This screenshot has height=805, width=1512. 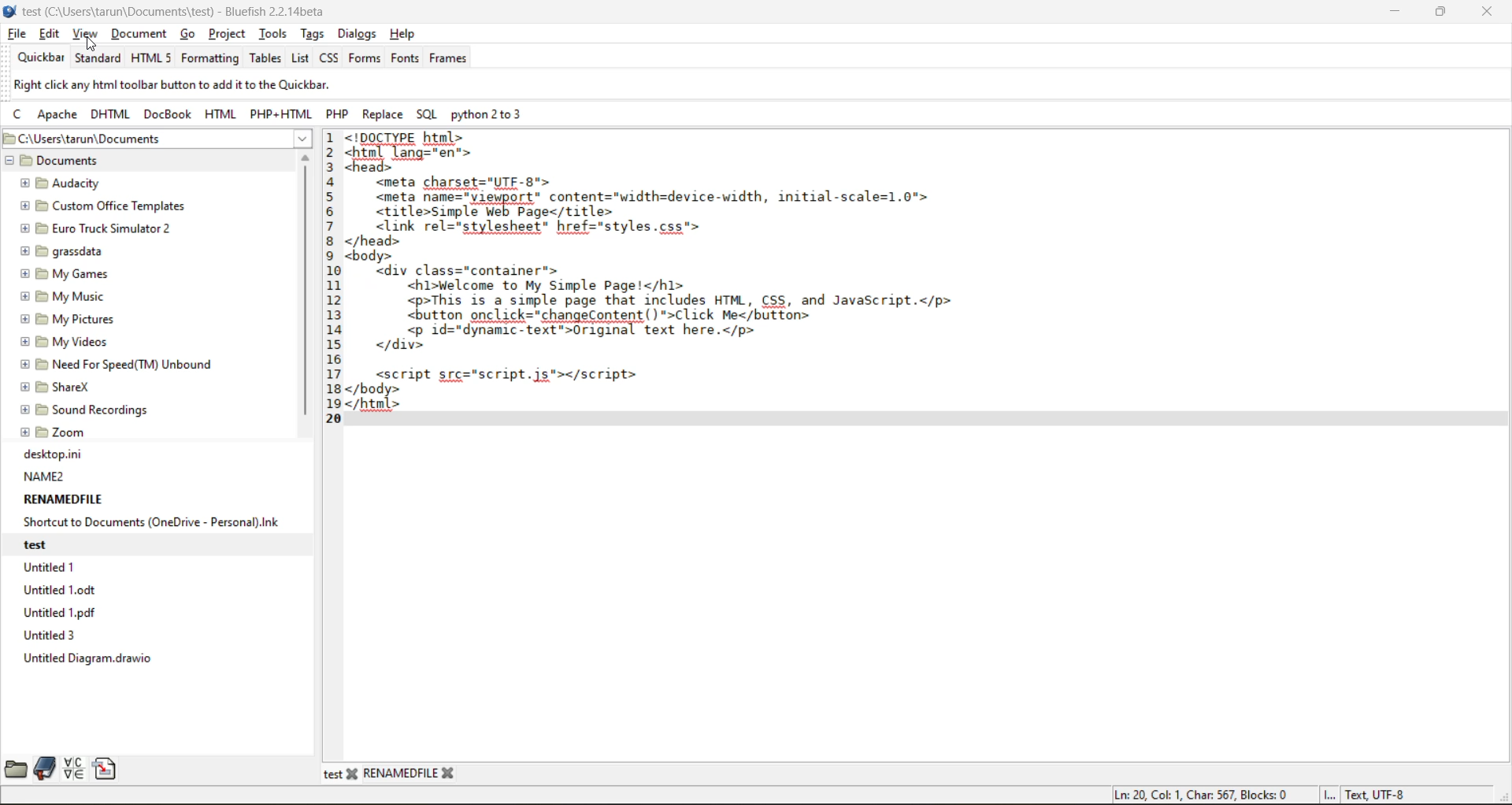 What do you see at coordinates (107, 769) in the screenshot?
I see `snippets` at bounding box center [107, 769].